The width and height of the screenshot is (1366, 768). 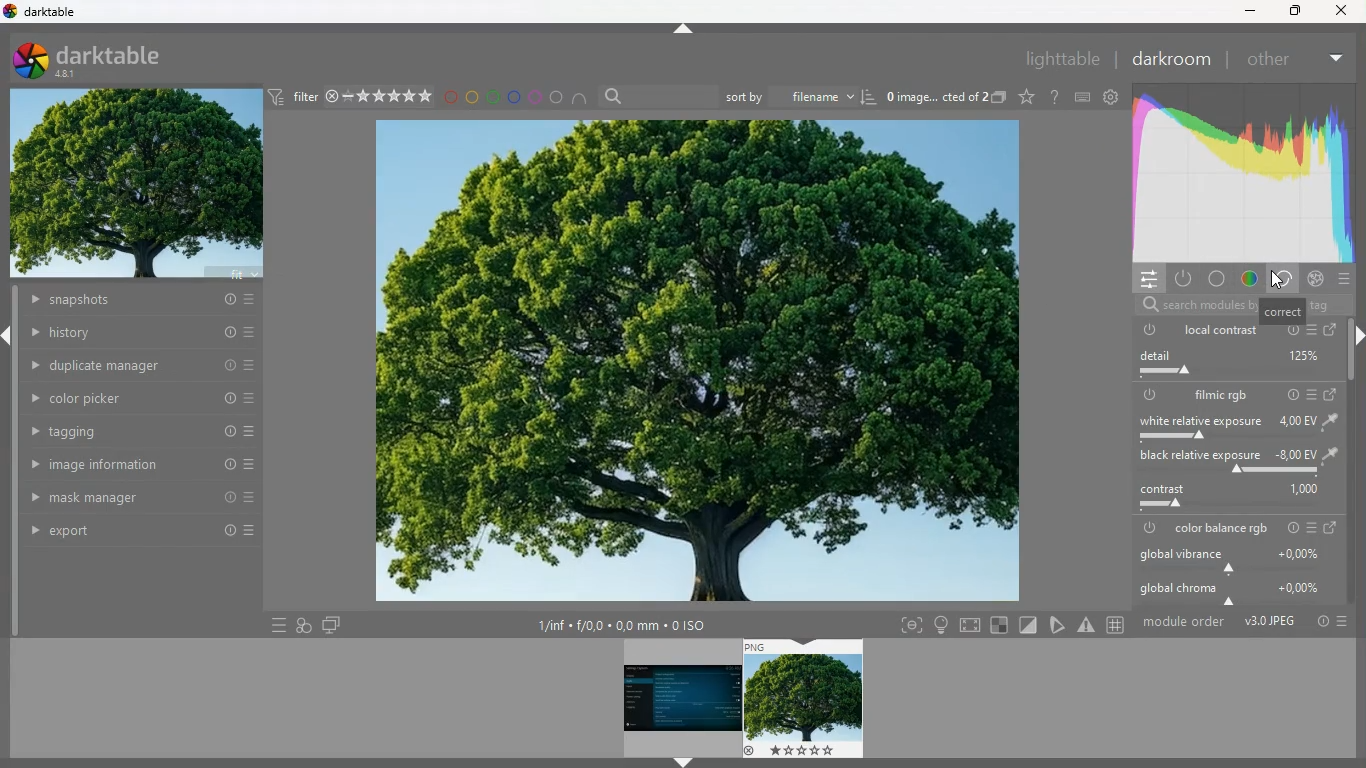 I want to click on scroll bar, so click(x=1357, y=362).